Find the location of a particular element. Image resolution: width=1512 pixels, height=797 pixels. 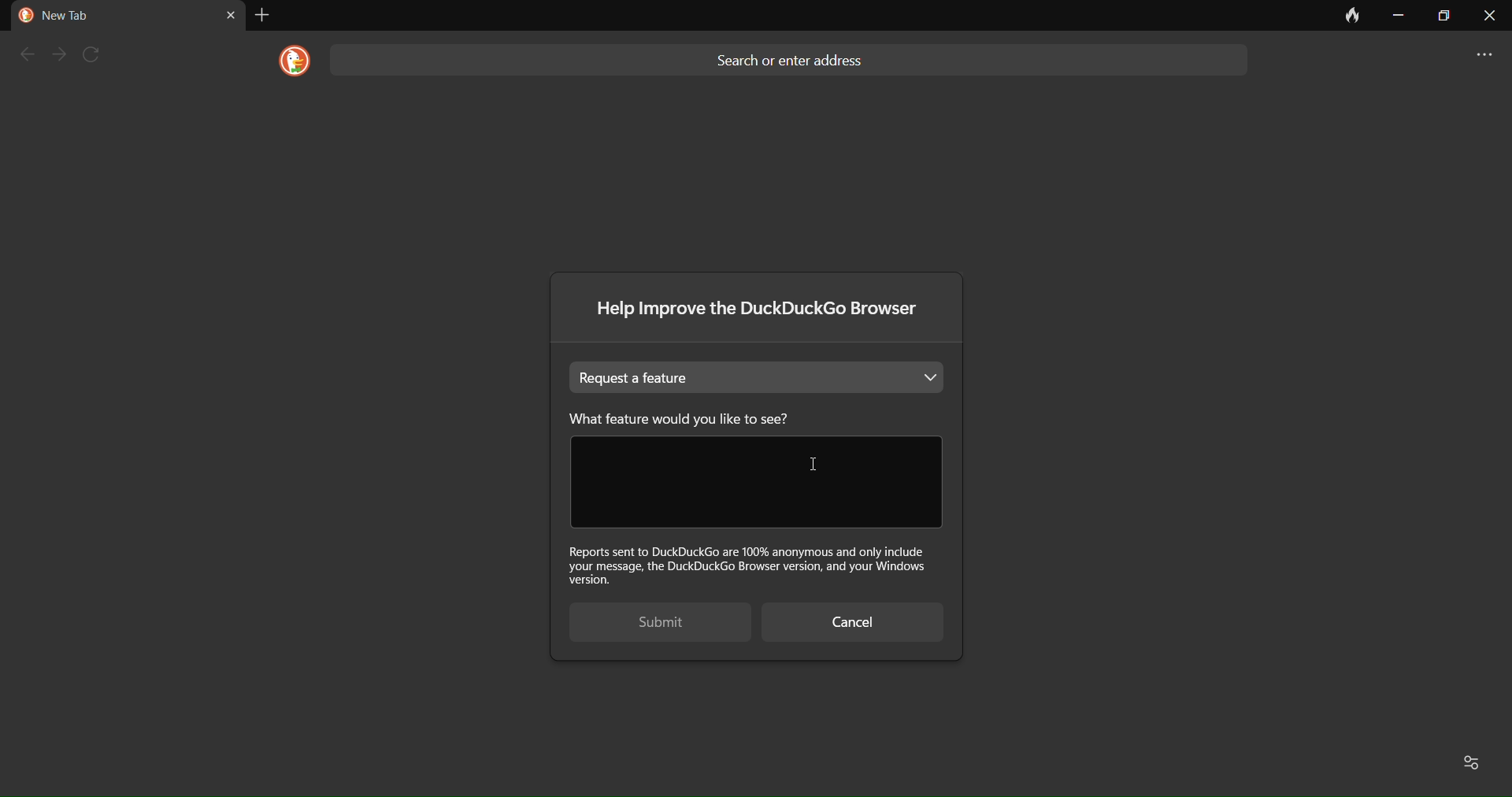

submit is located at coordinates (648, 624).